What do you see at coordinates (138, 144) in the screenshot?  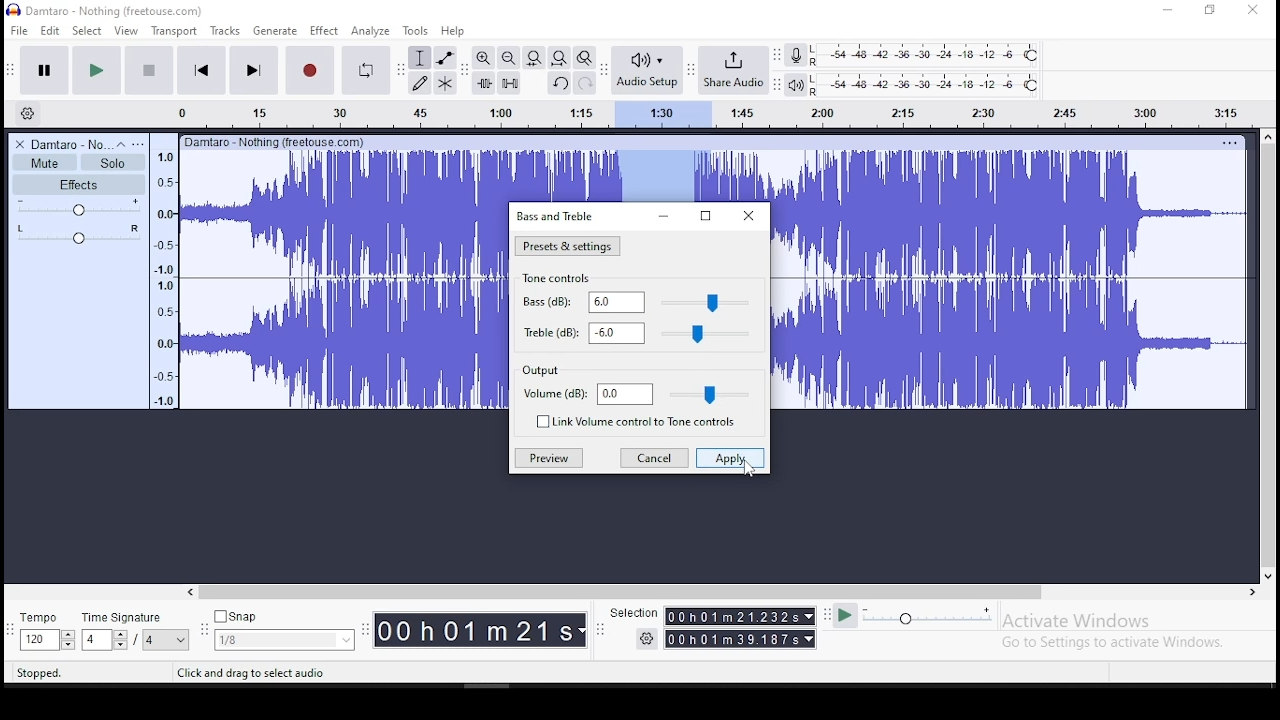 I see `open menu` at bounding box center [138, 144].